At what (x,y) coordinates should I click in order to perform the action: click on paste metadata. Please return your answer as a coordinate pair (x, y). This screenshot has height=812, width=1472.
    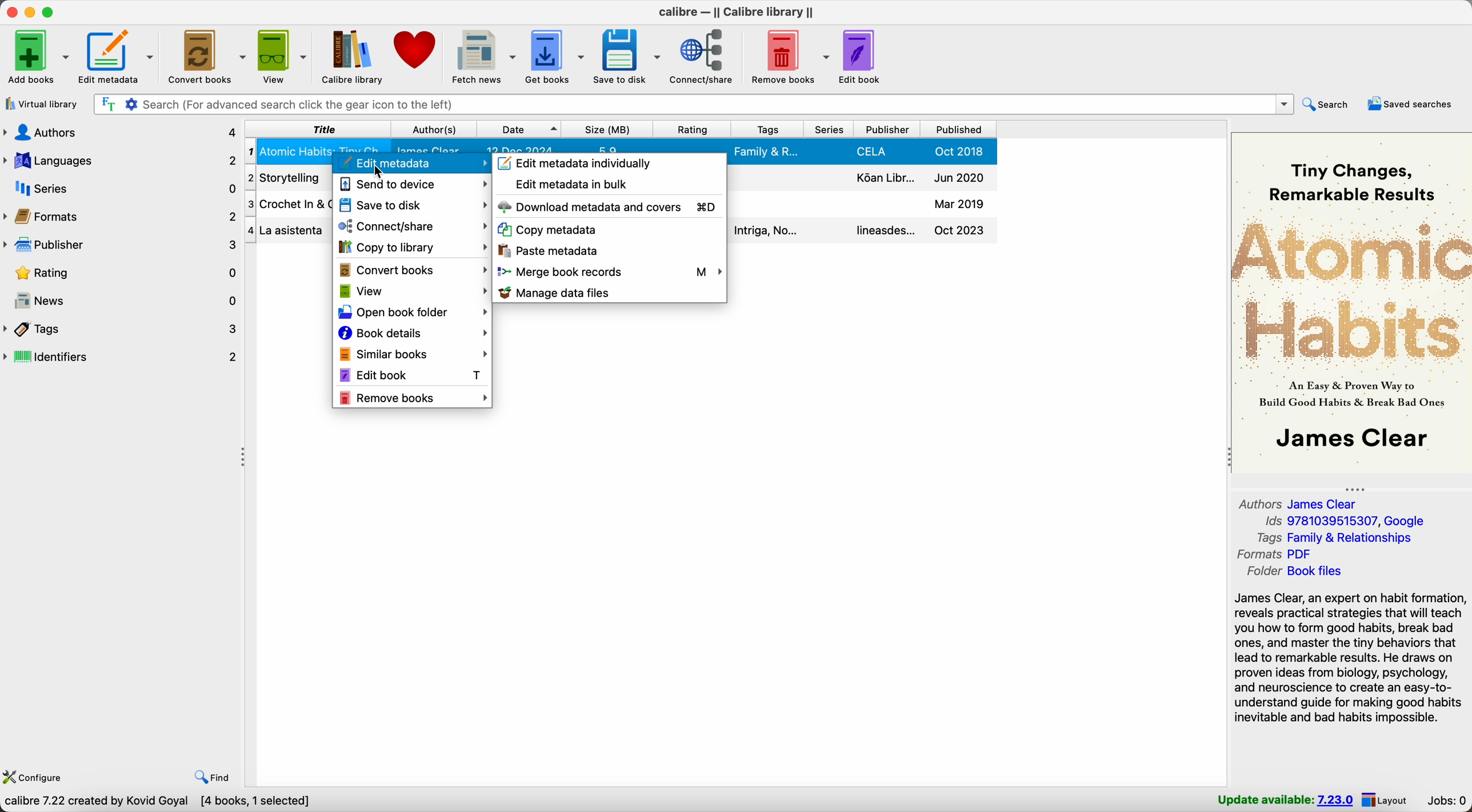
    Looking at the image, I should click on (548, 251).